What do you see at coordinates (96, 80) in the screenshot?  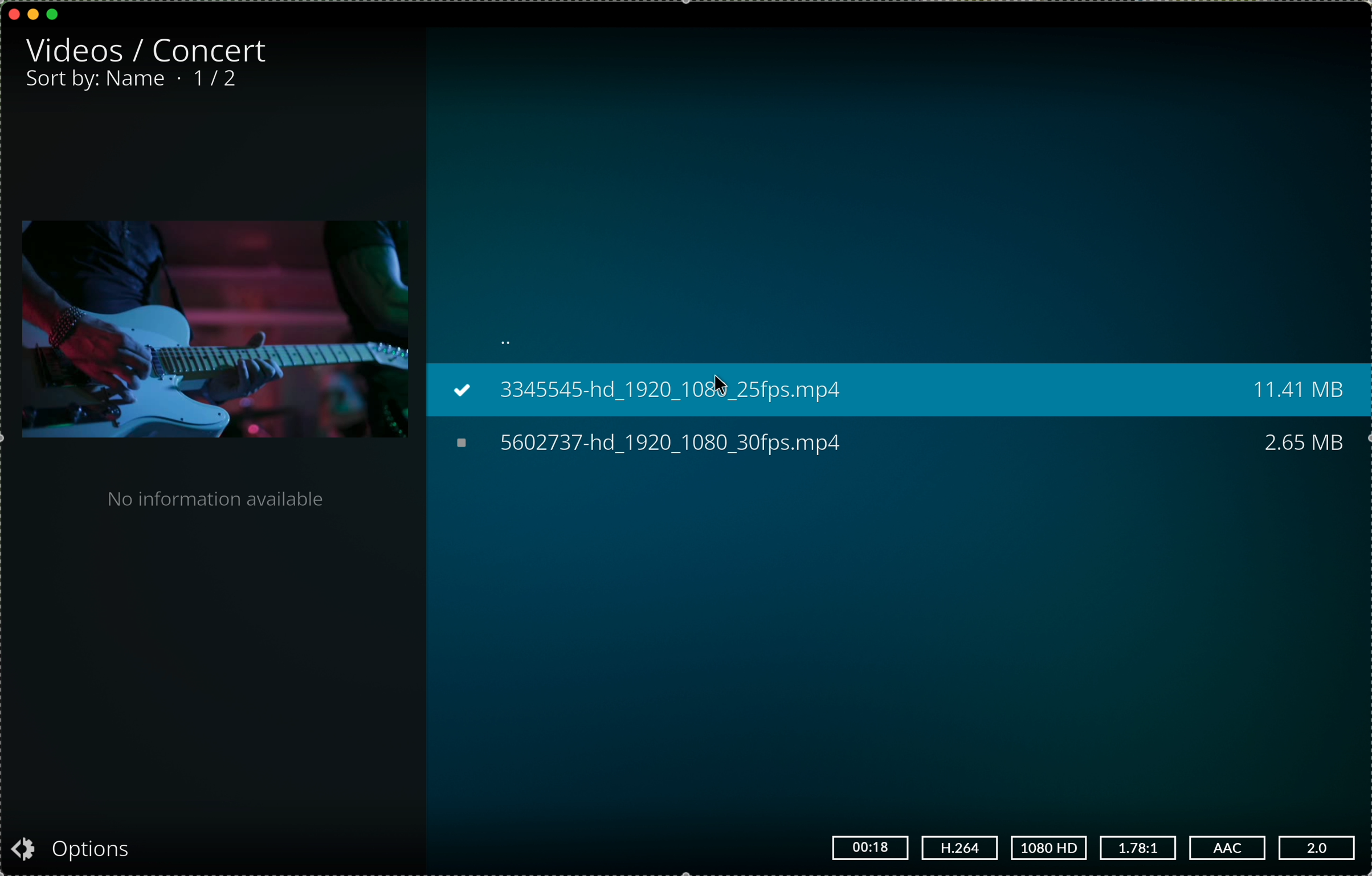 I see `sort by` at bounding box center [96, 80].